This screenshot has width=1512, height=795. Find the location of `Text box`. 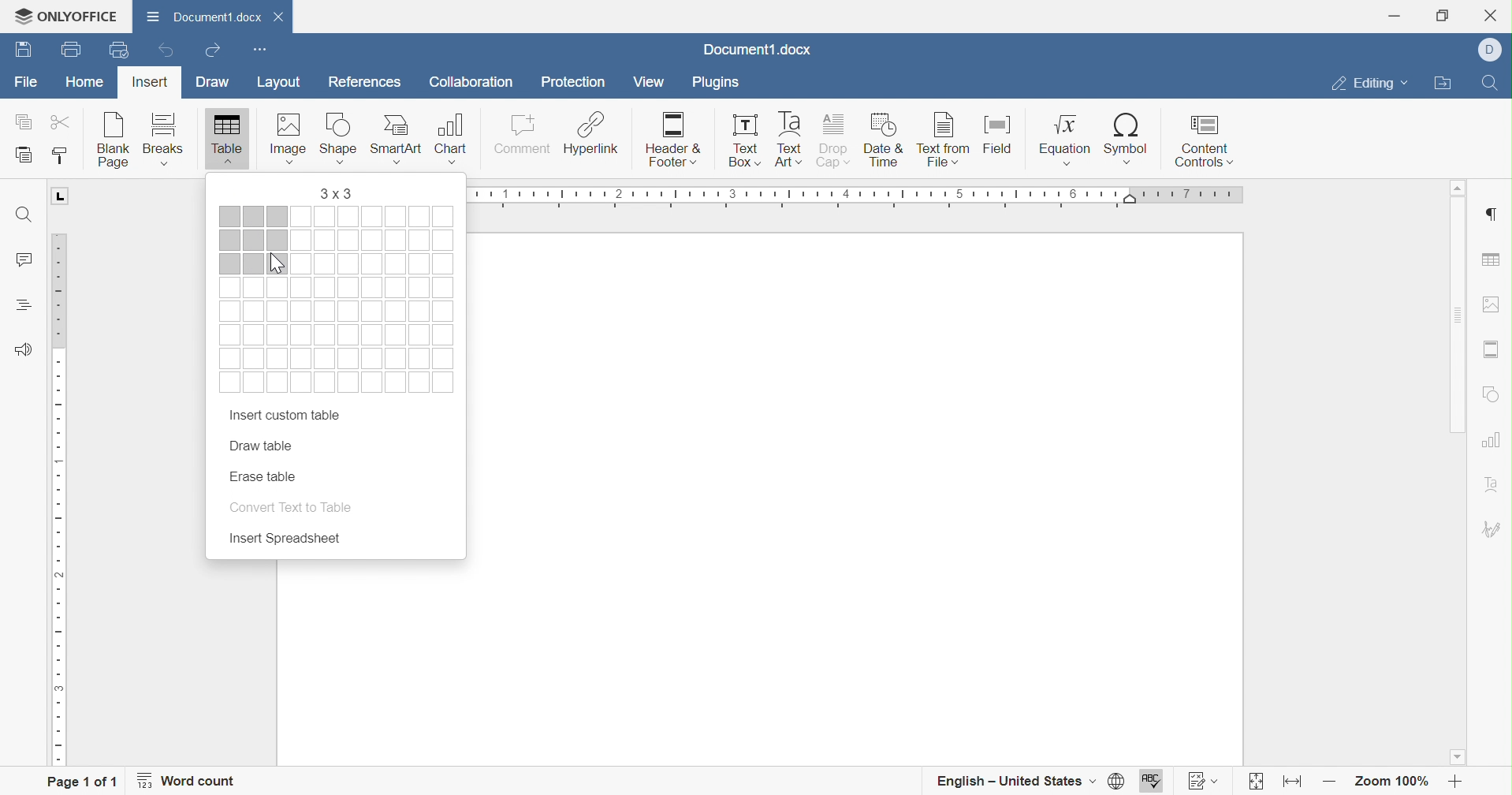

Text box is located at coordinates (744, 142).